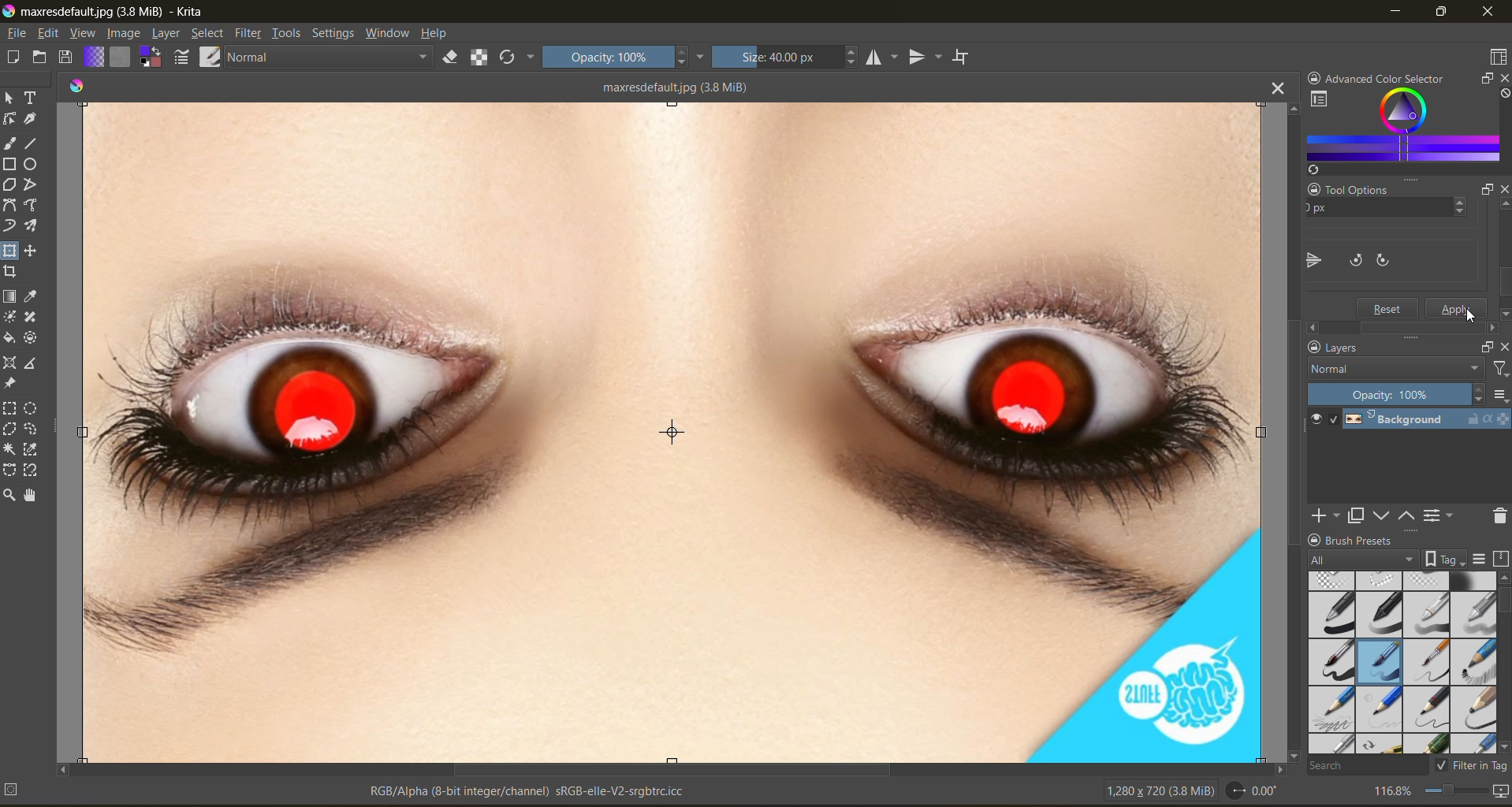 The width and height of the screenshot is (1512, 807). Describe the element at coordinates (335, 33) in the screenshot. I see `settings` at that location.